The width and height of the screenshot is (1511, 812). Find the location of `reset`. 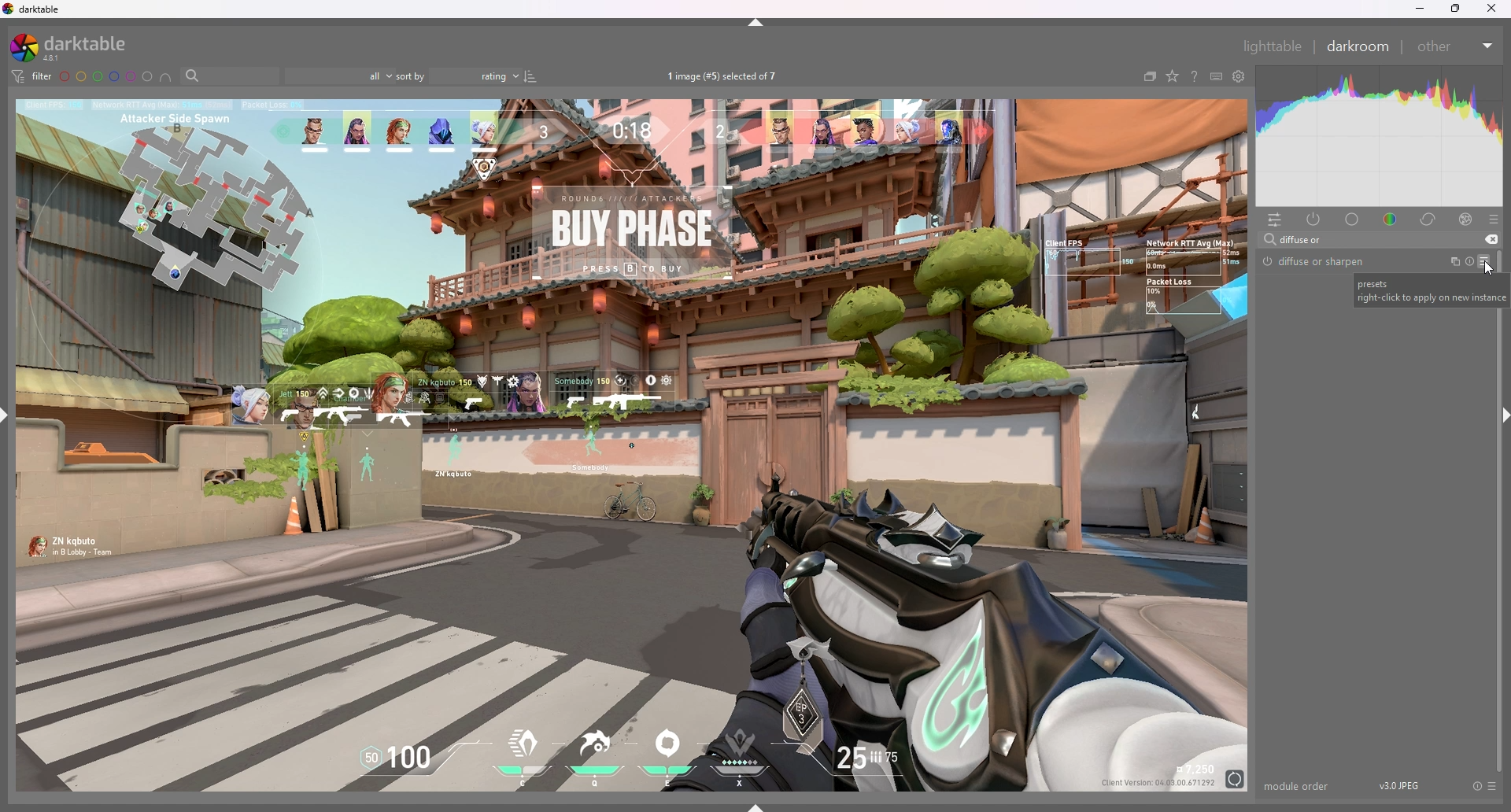

reset is located at coordinates (1476, 786).